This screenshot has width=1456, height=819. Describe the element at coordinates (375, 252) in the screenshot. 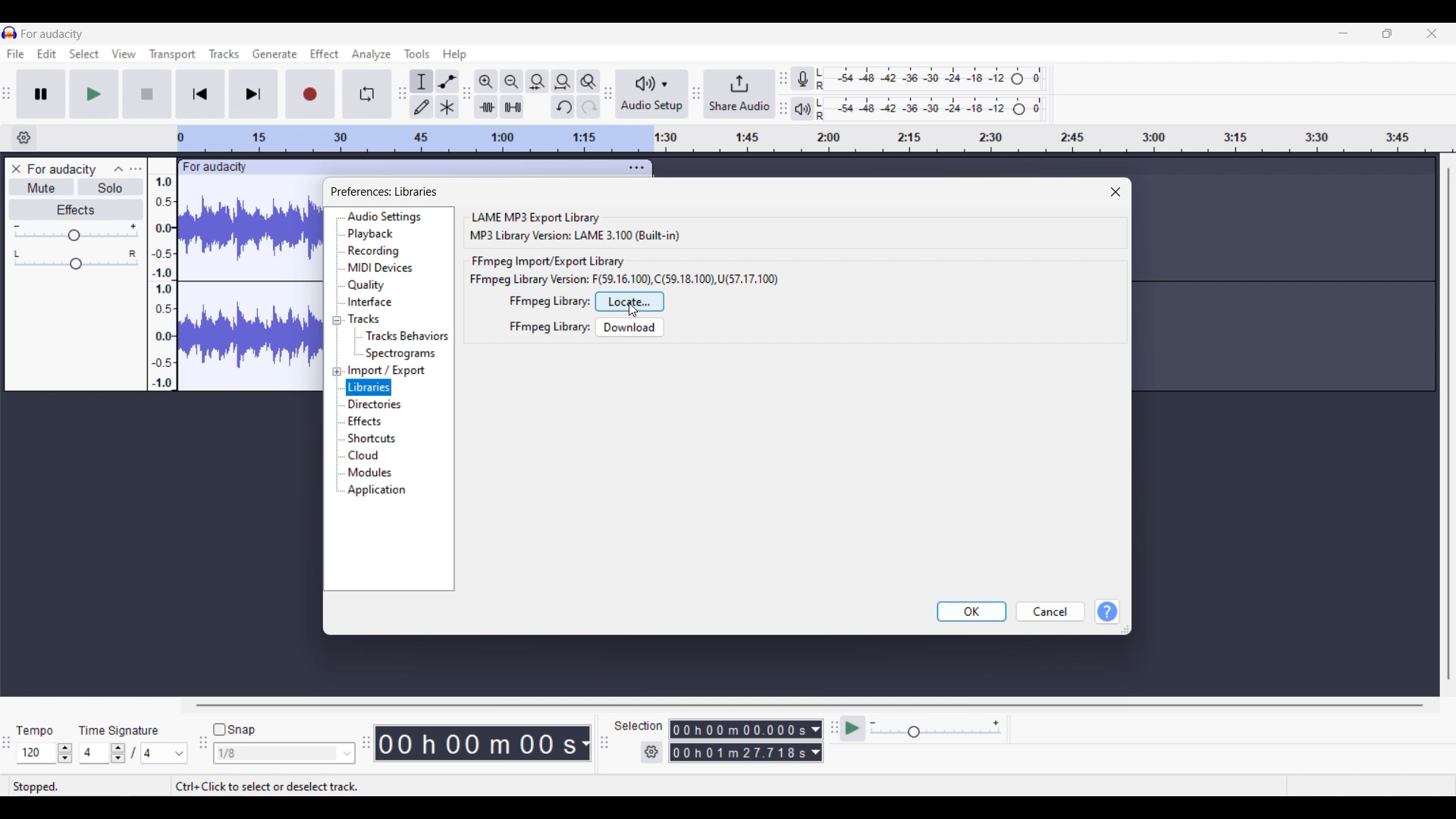

I see `Recording` at that location.